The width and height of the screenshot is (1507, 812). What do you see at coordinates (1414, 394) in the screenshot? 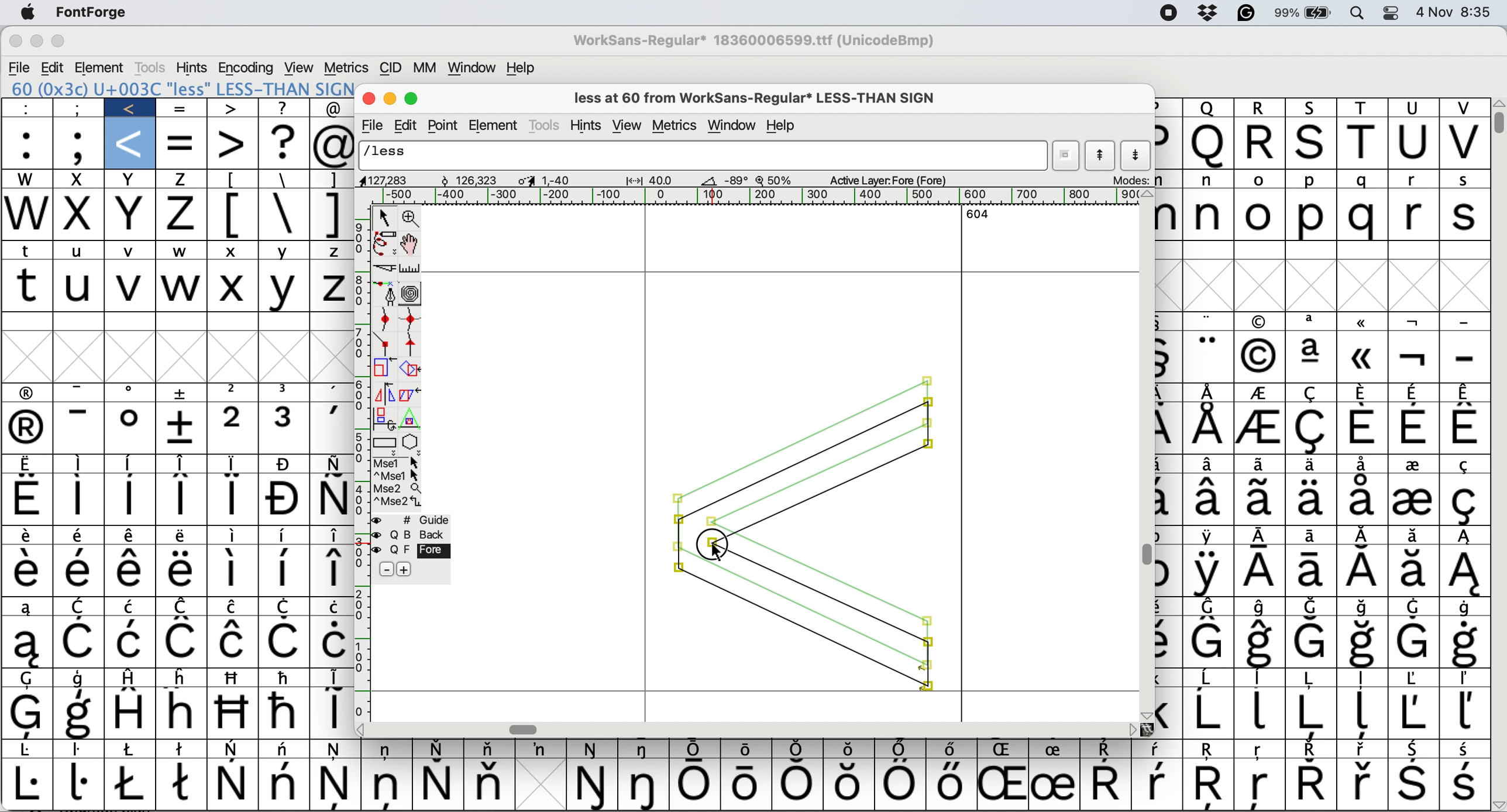
I see `Symbol` at bounding box center [1414, 394].